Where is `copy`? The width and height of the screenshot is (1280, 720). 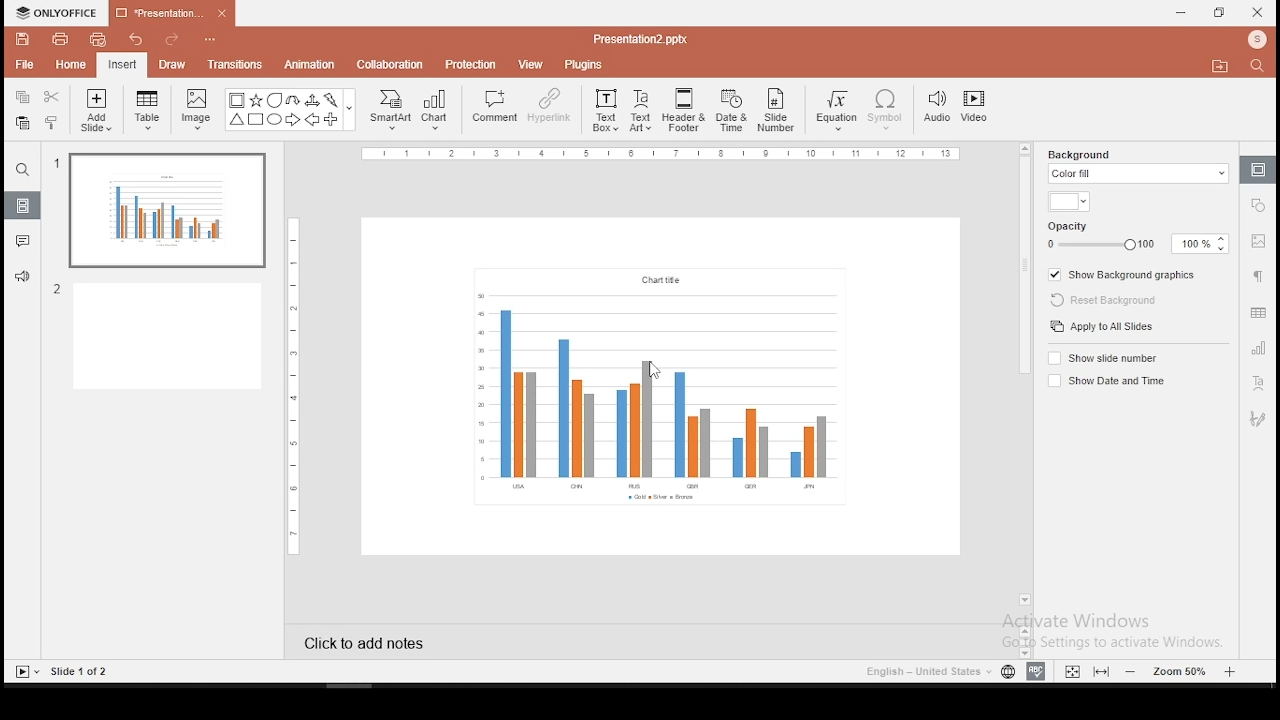
copy is located at coordinates (23, 97).